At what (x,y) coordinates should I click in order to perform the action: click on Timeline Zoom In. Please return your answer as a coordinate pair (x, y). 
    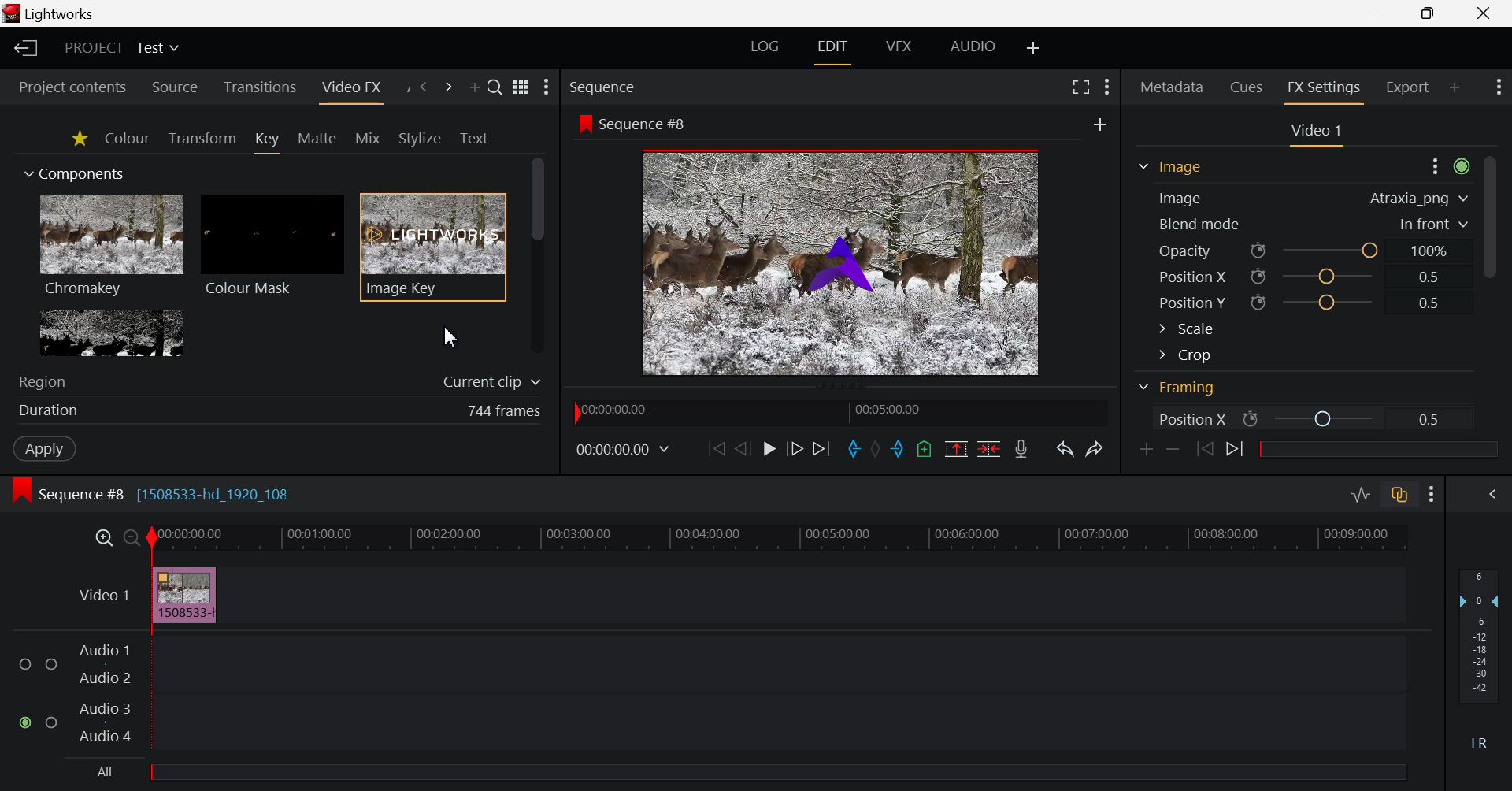
    Looking at the image, I should click on (102, 535).